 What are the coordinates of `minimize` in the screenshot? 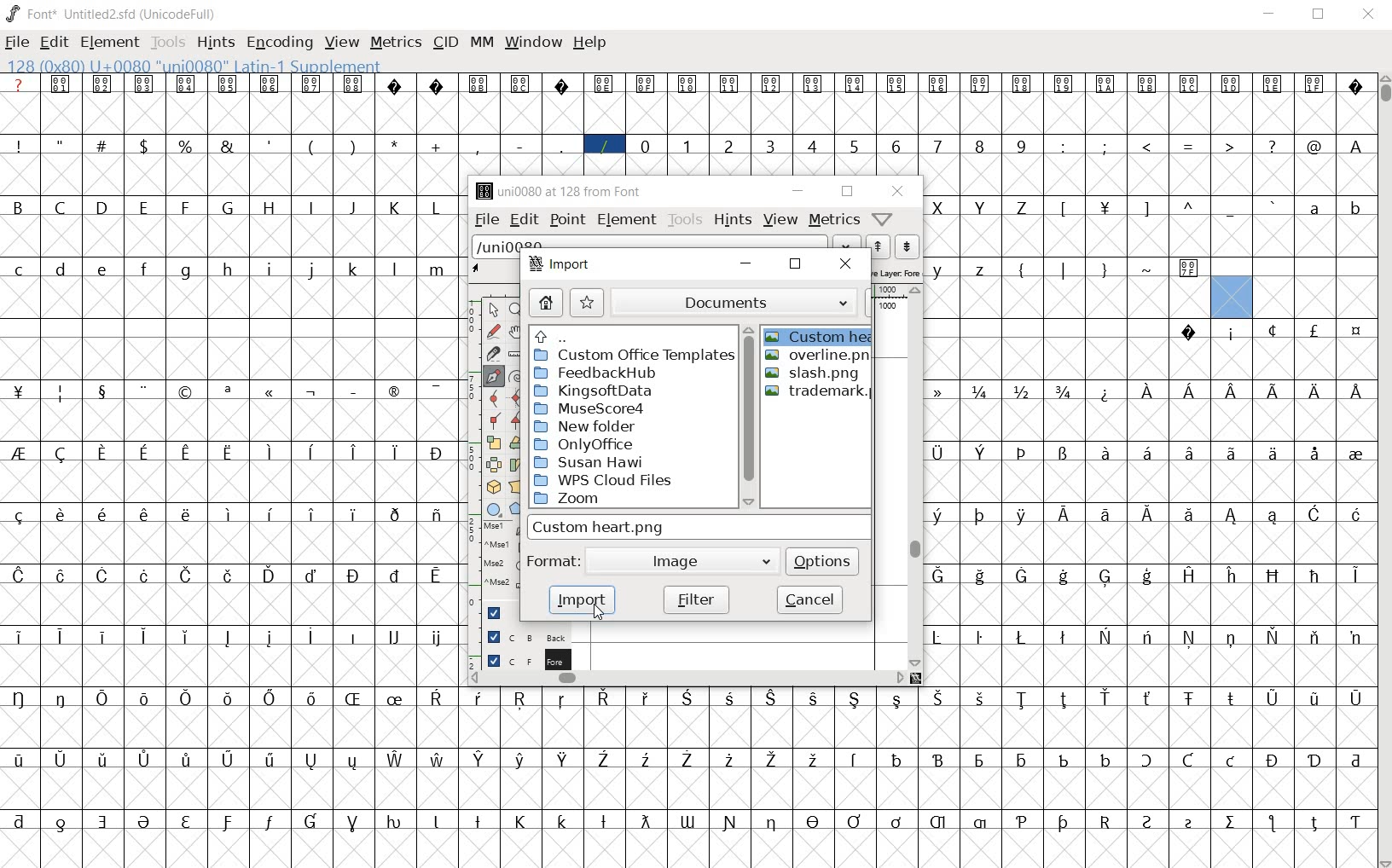 It's located at (751, 264).